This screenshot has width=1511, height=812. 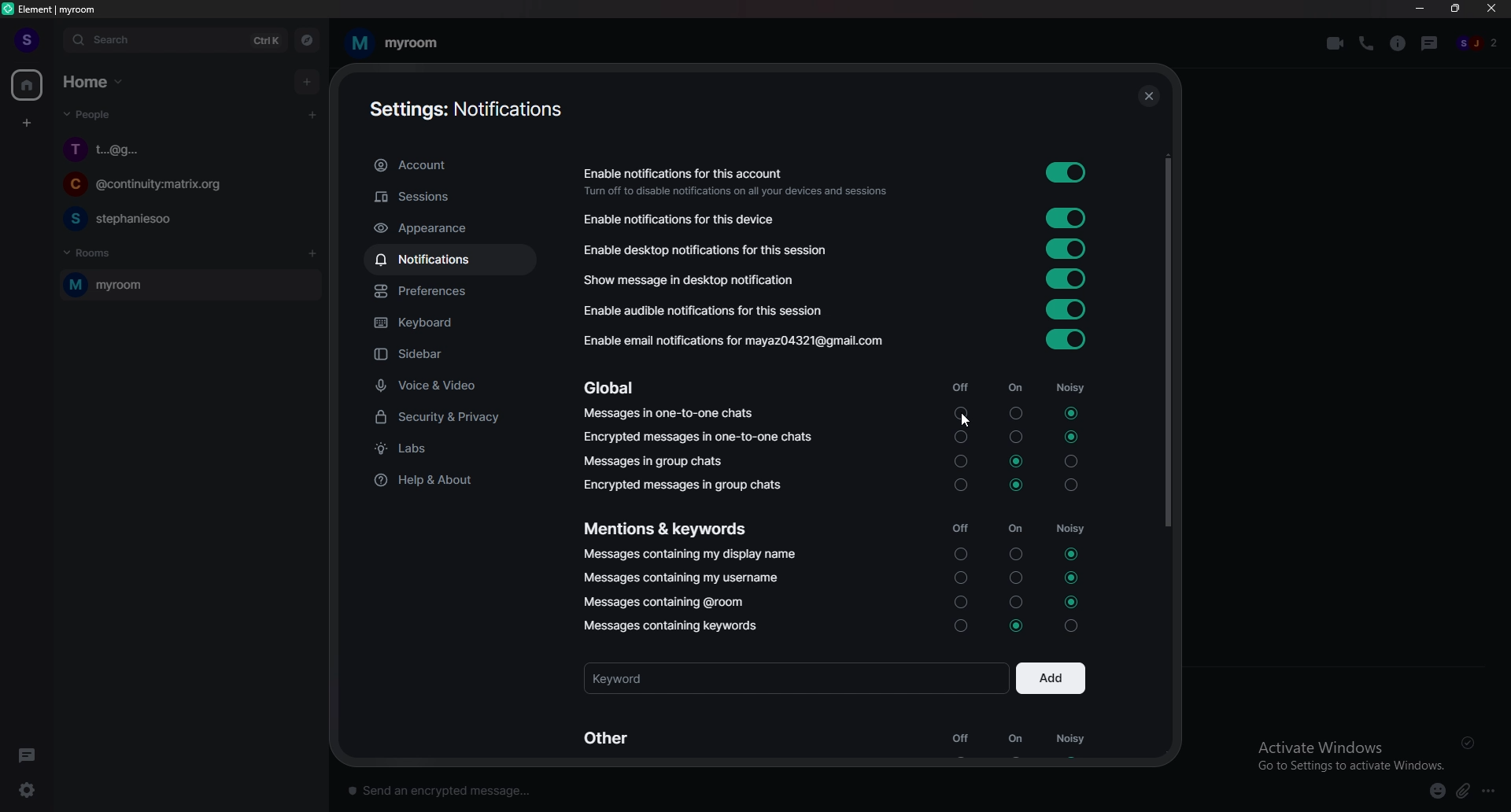 What do you see at coordinates (53, 40) in the screenshot?
I see `expand` at bounding box center [53, 40].